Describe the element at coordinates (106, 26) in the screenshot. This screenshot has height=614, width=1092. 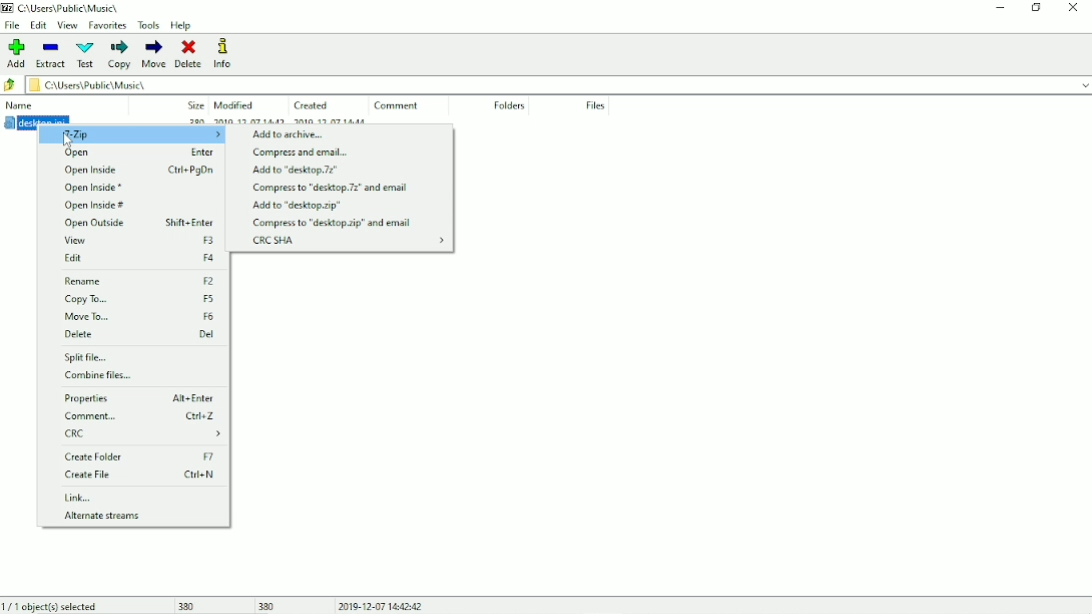
I see `Favorites` at that location.